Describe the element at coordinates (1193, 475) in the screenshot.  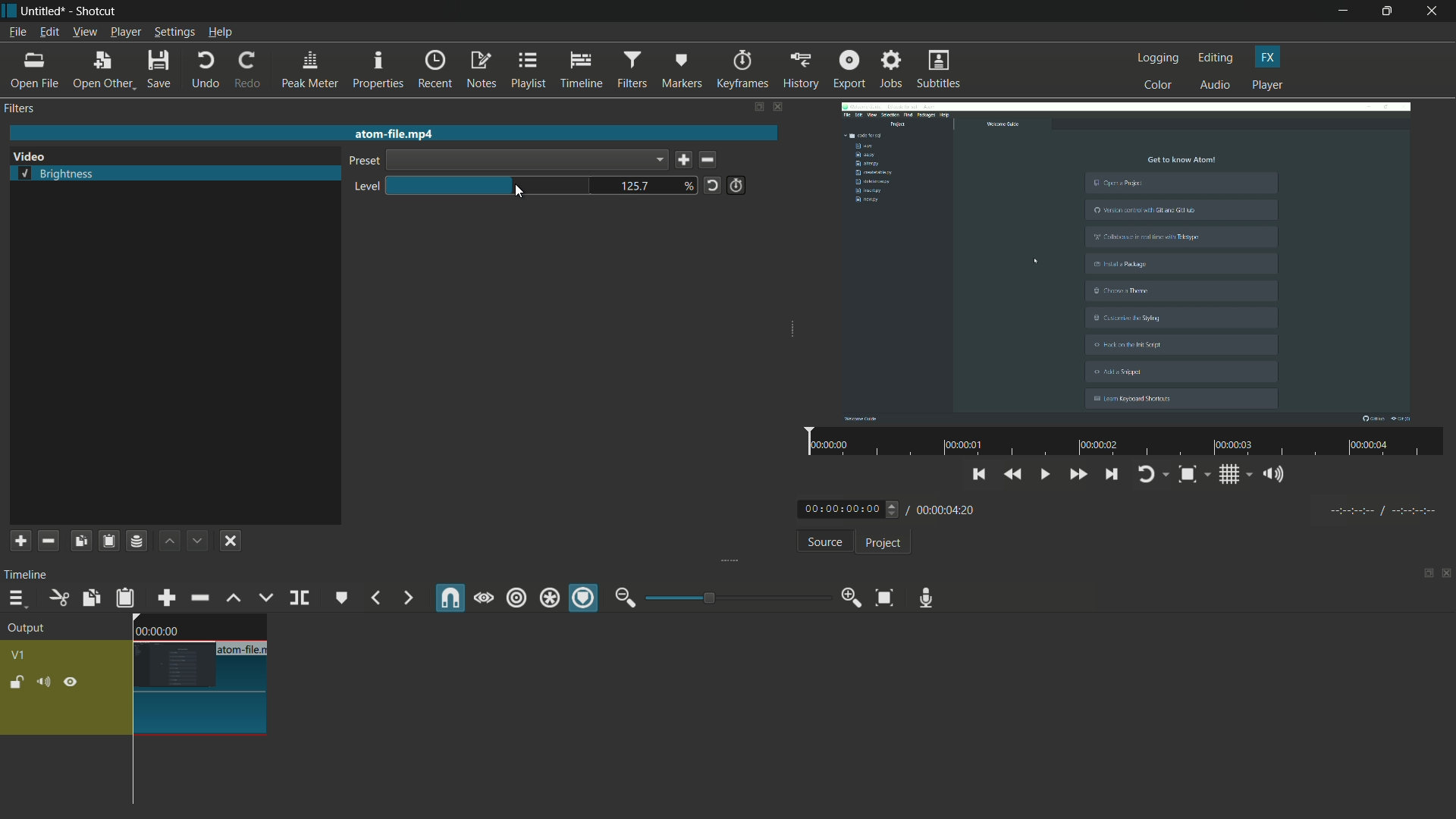
I see `toggle zoom` at that location.